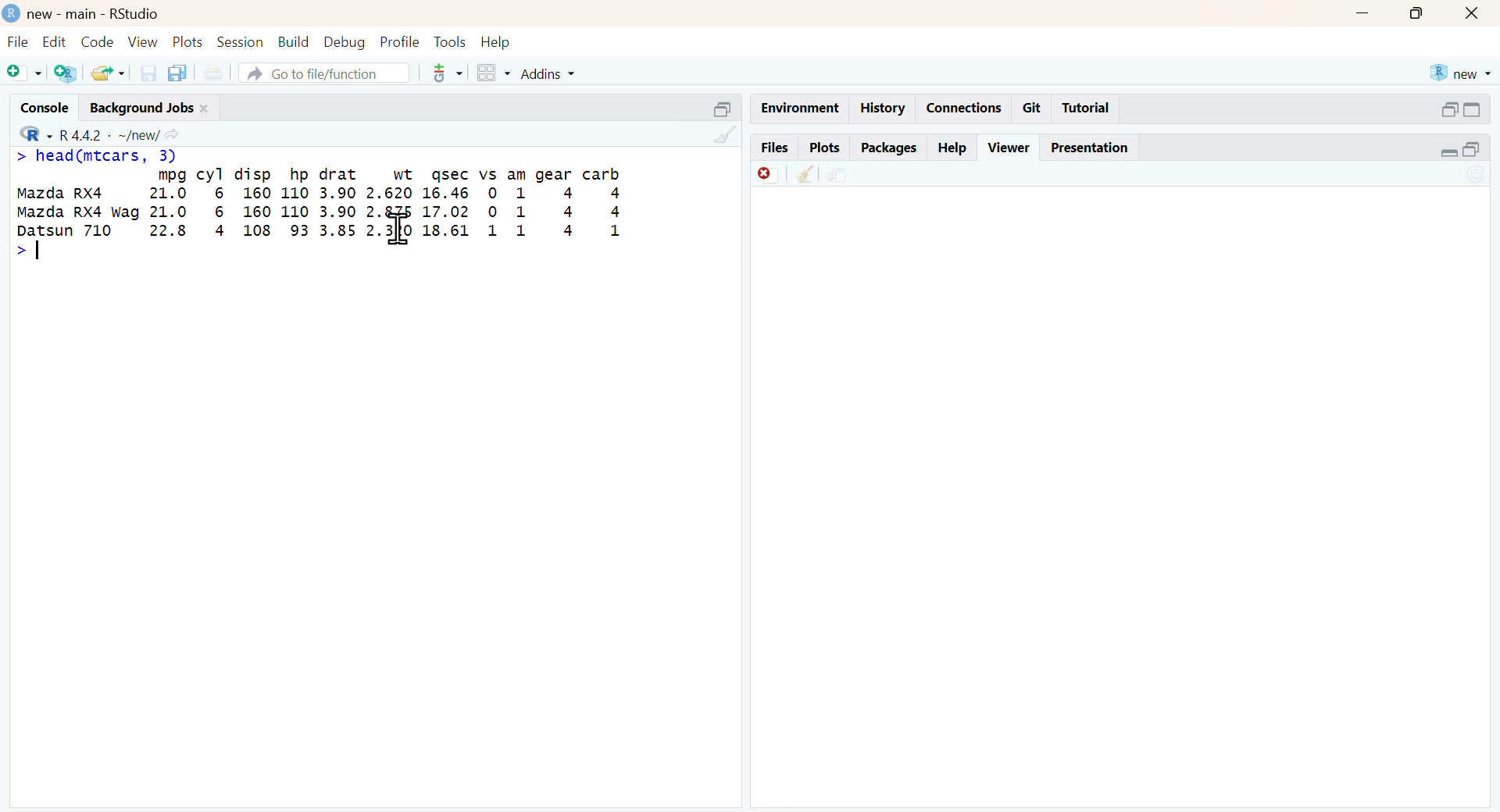 Image resolution: width=1500 pixels, height=812 pixels. I want to click on ) new - main - RStudio, so click(114, 13).